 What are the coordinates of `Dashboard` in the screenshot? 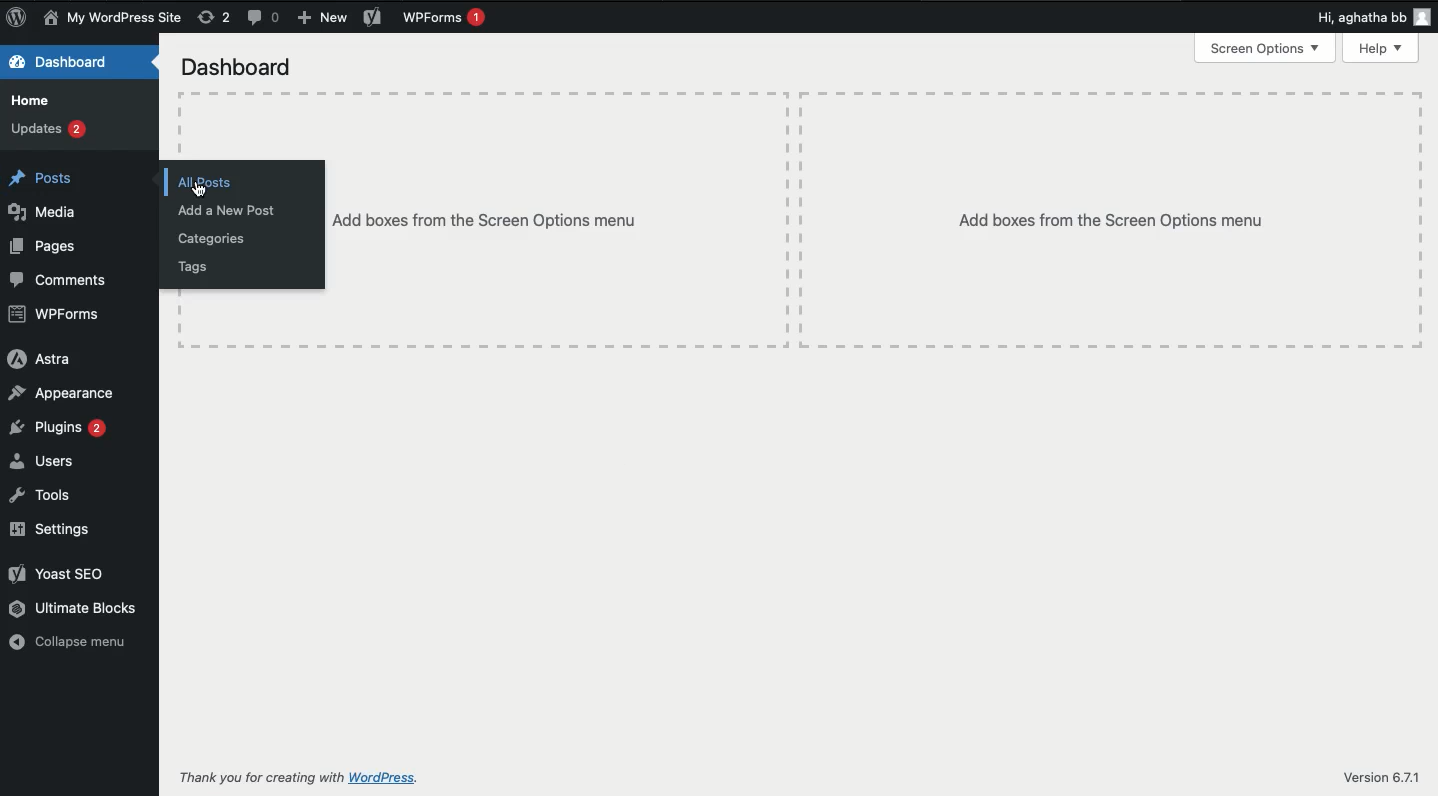 It's located at (237, 69).